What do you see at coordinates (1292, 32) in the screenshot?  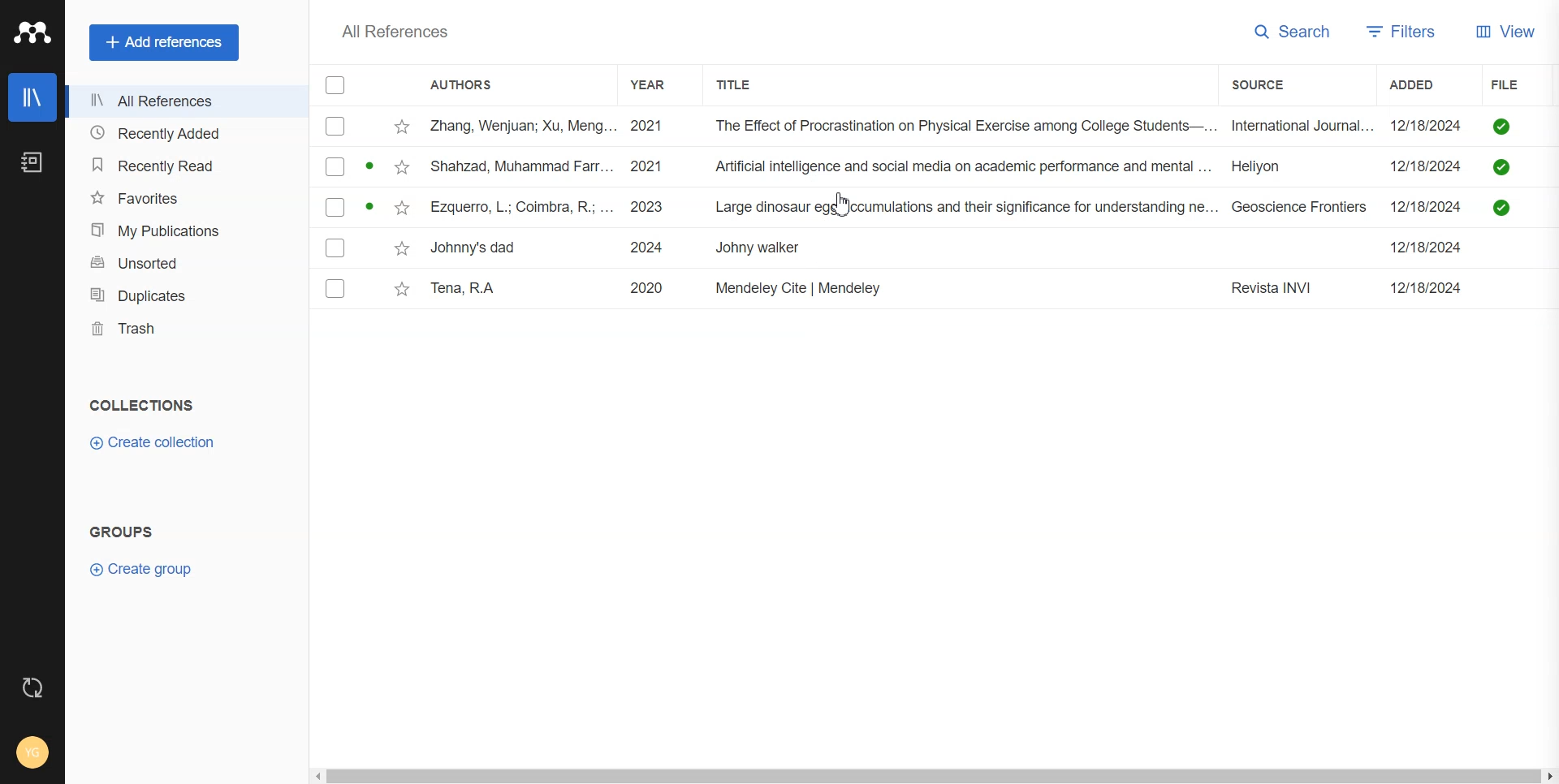 I see `Search ` at bounding box center [1292, 32].